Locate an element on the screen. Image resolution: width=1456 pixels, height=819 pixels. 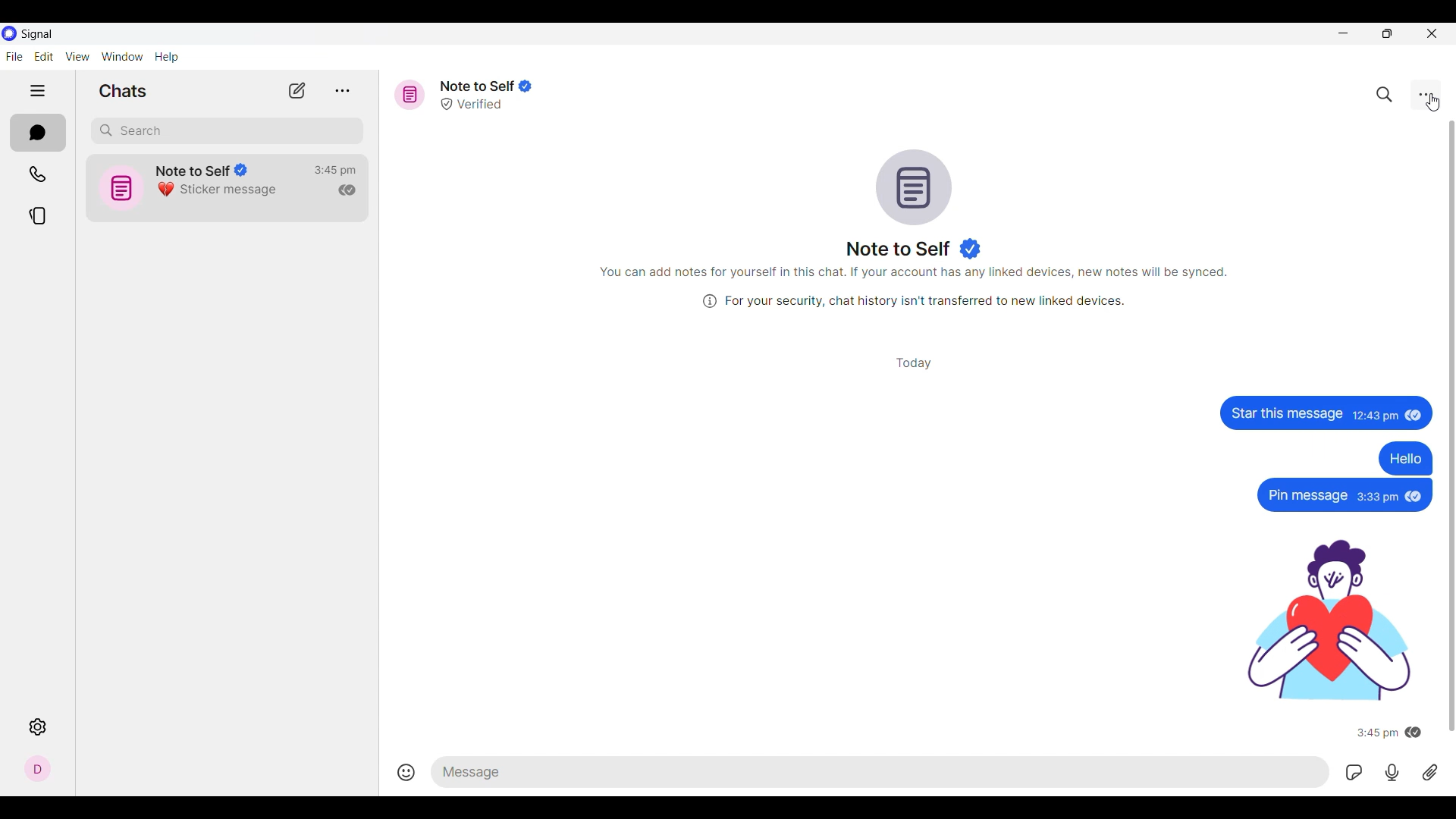
Hello is located at coordinates (1407, 458).